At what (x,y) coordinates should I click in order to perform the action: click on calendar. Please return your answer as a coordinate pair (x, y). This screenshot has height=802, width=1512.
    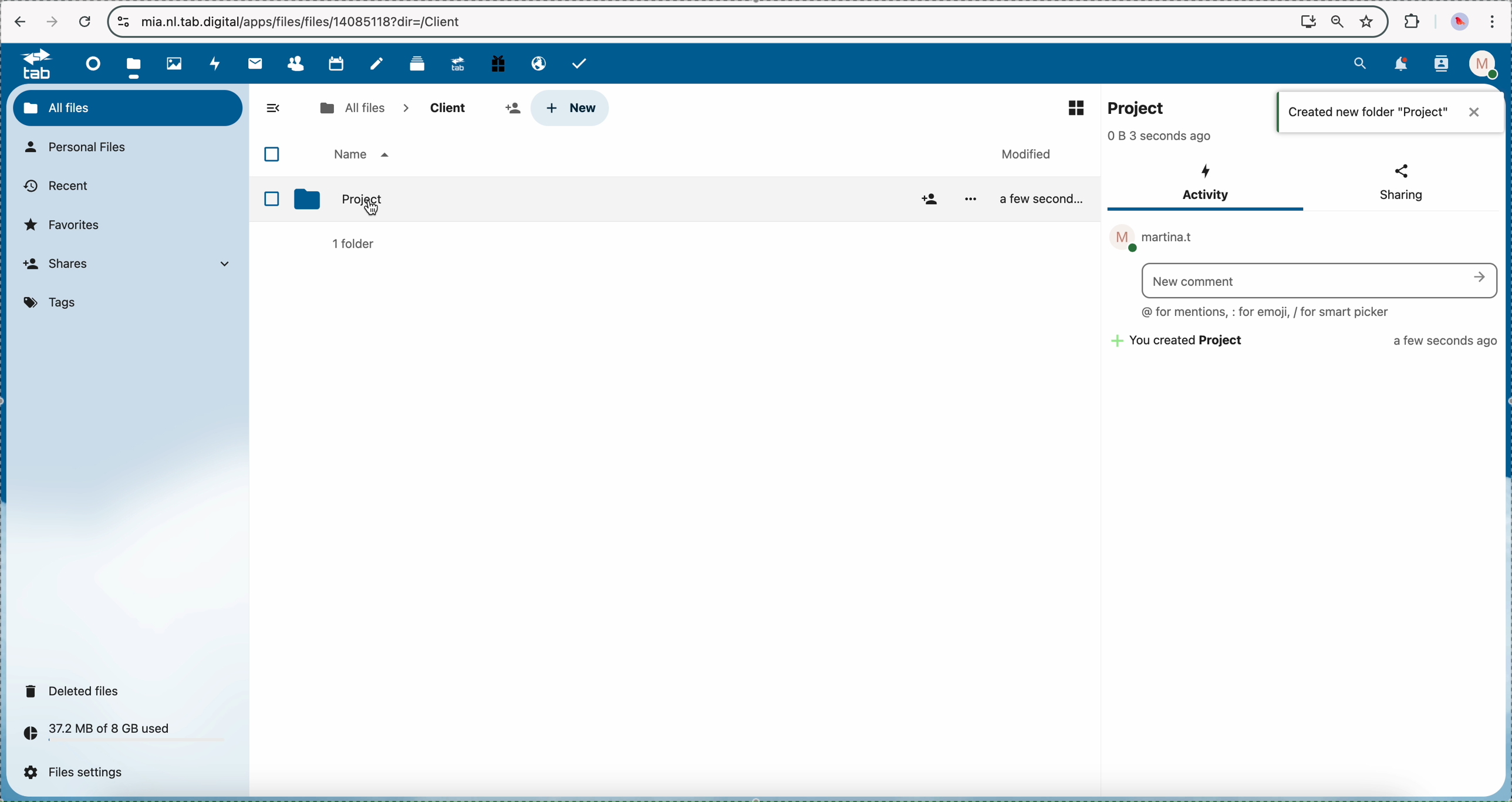
    Looking at the image, I should click on (336, 62).